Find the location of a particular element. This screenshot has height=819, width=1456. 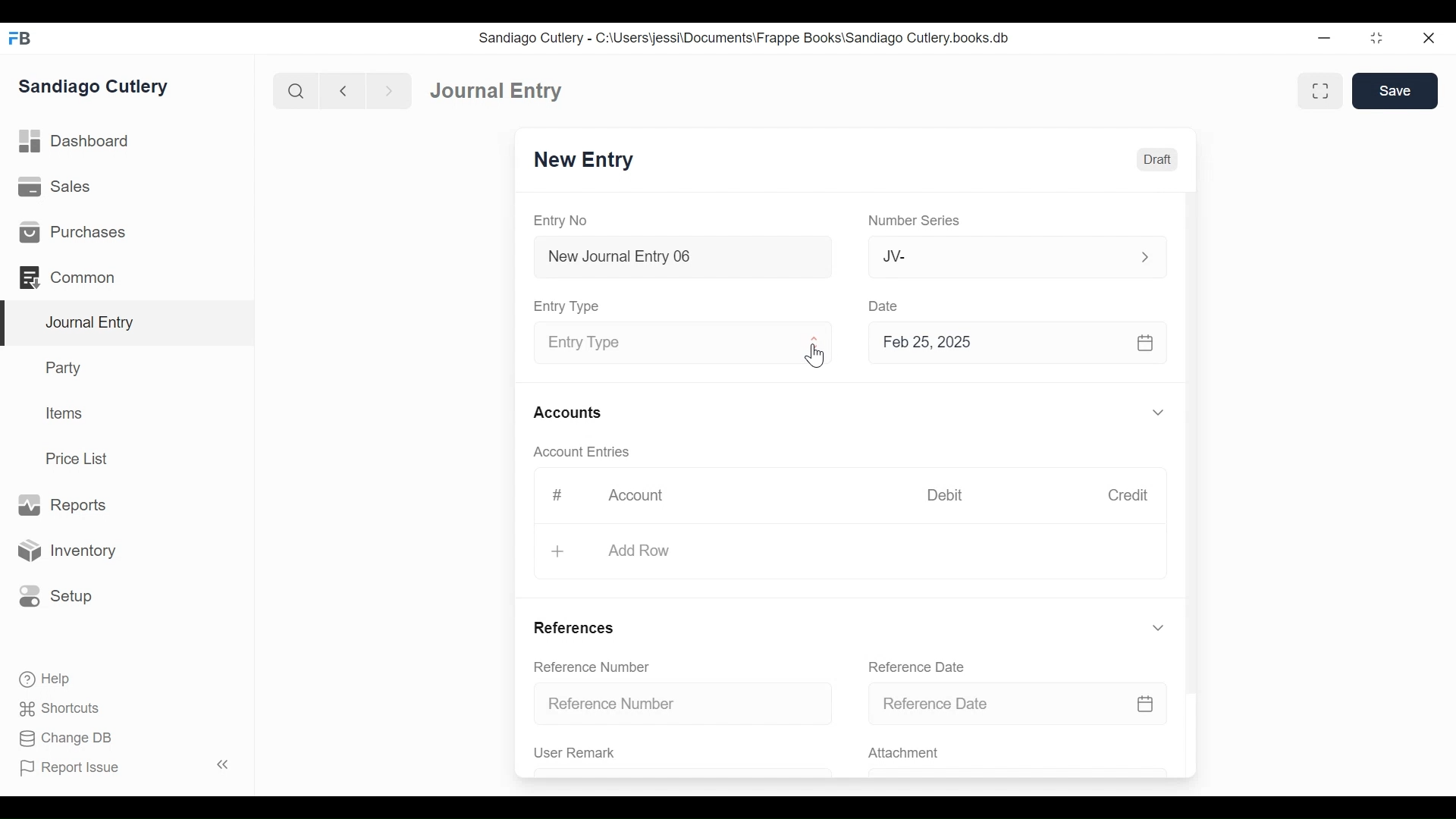

Reference Date is located at coordinates (1017, 702).